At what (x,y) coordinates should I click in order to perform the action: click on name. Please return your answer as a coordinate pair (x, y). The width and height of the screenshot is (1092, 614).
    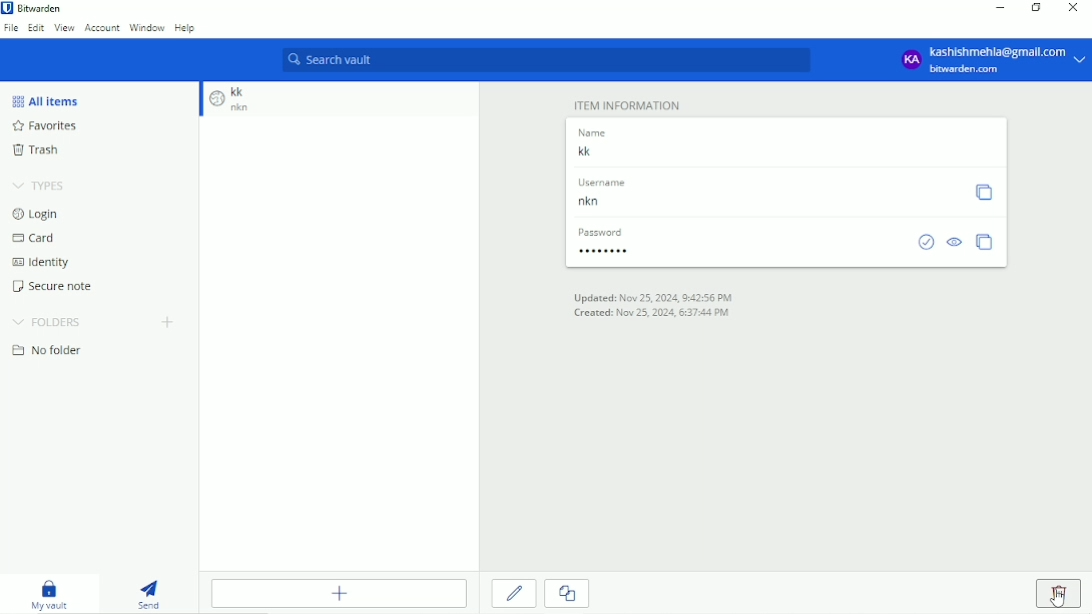
    Looking at the image, I should click on (590, 131).